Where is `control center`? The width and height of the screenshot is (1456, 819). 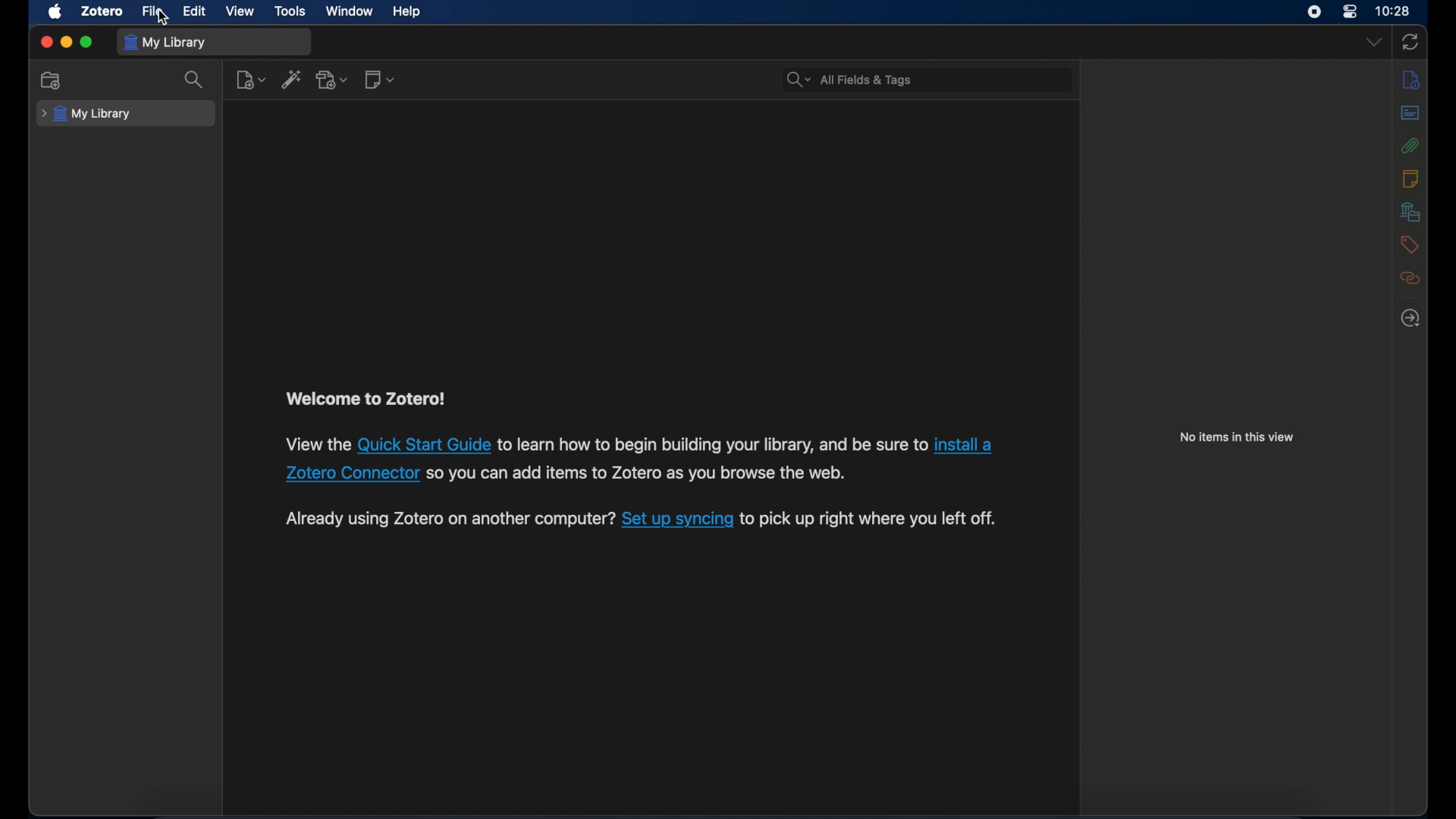 control center is located at coordinates (1350, 11).